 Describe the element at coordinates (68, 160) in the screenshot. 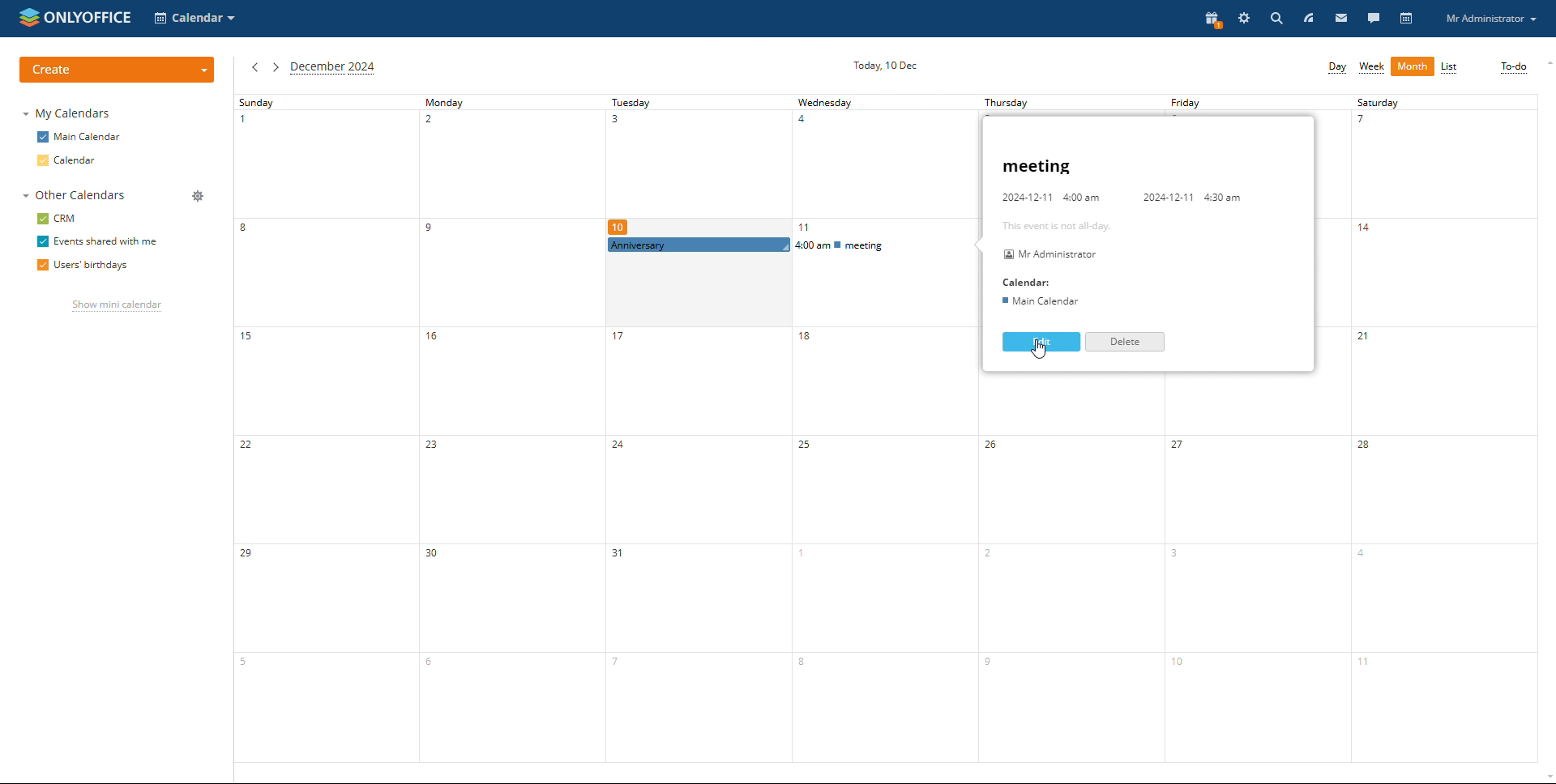

I see `calendar` at that location.